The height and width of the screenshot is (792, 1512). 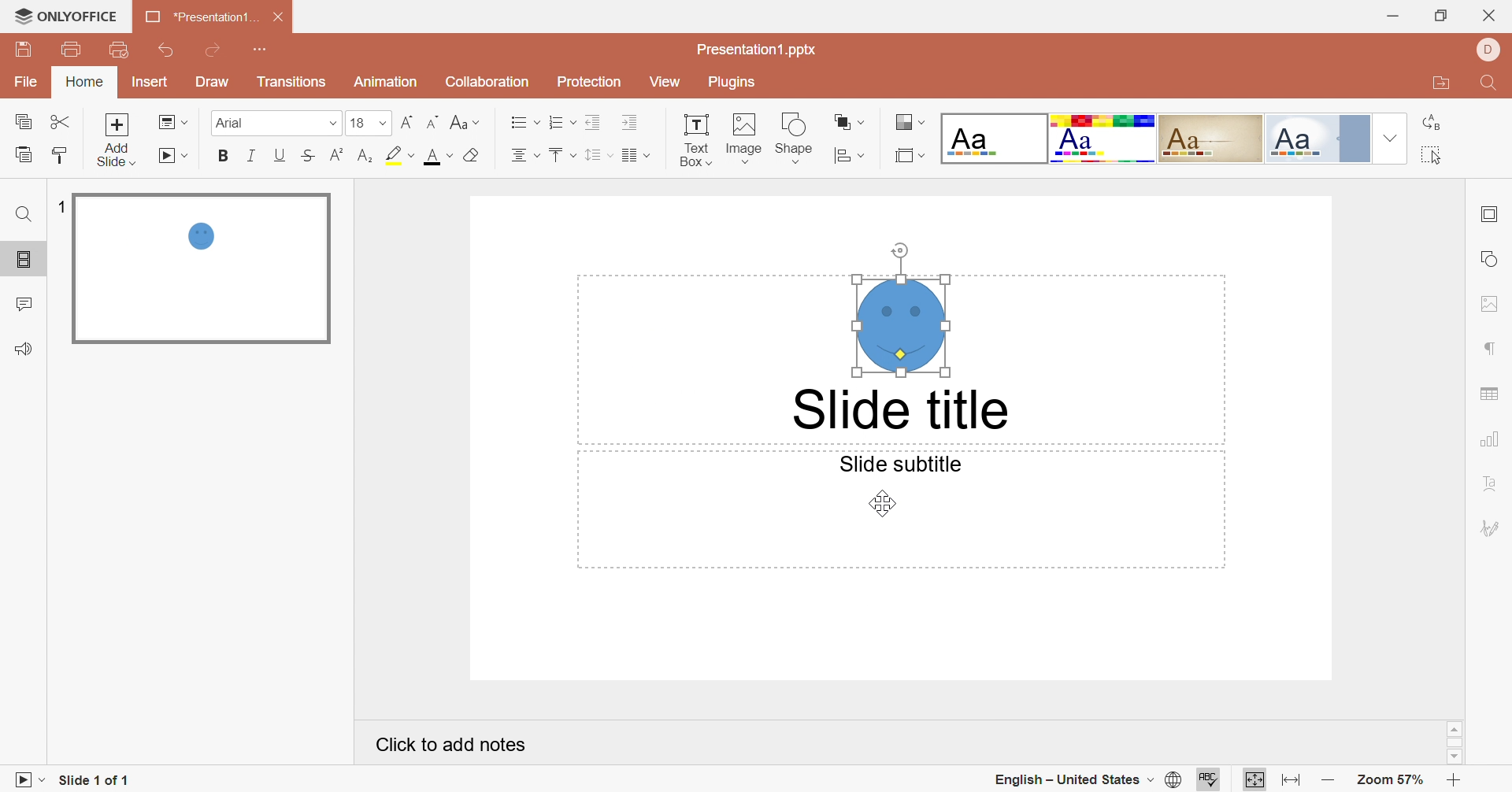 I want to click on Undo, so click(x=168, y=51).